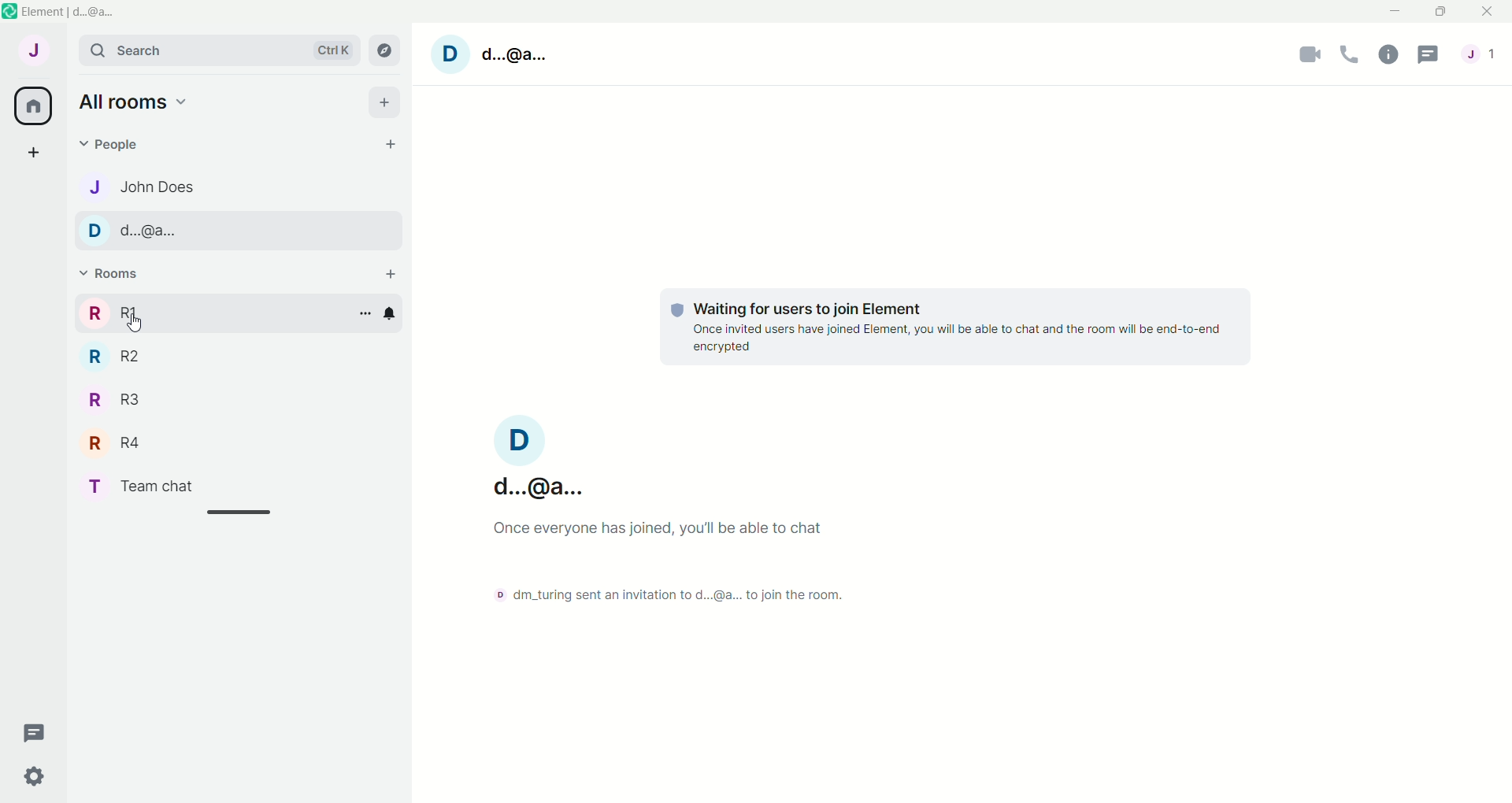  I want to click on logo, so click(9, 13).